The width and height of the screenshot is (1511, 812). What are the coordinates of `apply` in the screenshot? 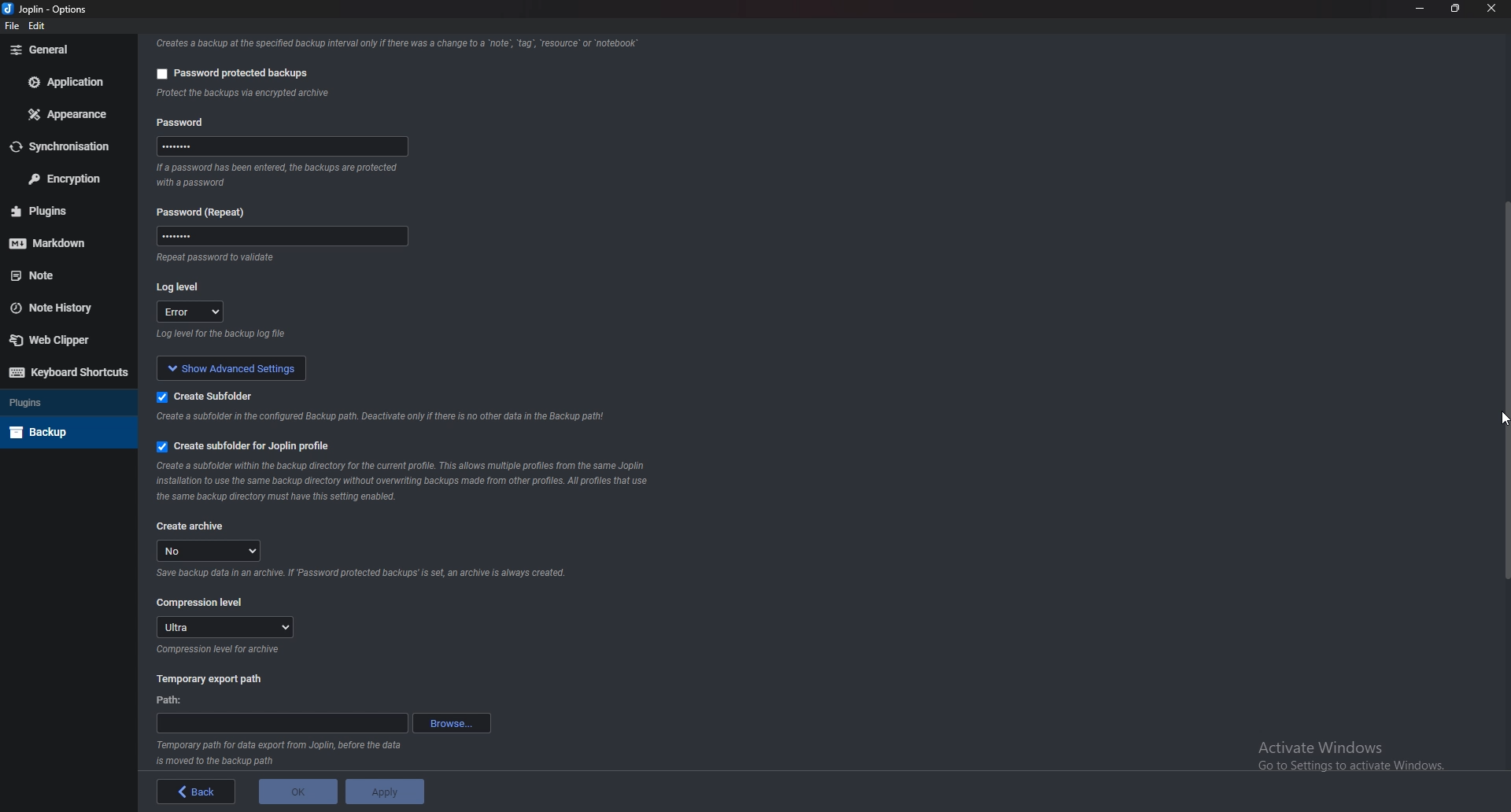 It's located at (386, 792).